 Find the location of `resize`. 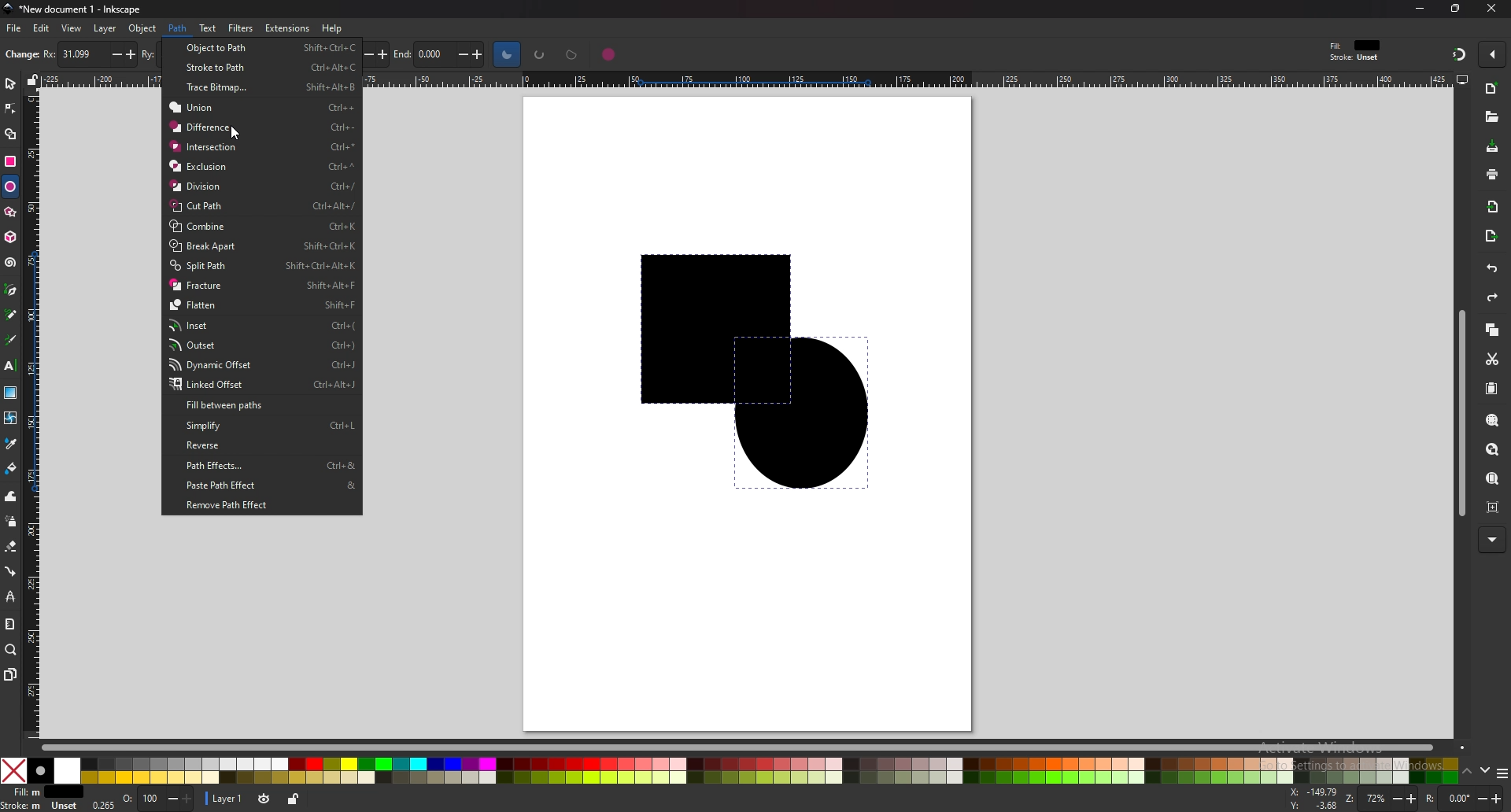

resize is located at coordinates (1455, 9).